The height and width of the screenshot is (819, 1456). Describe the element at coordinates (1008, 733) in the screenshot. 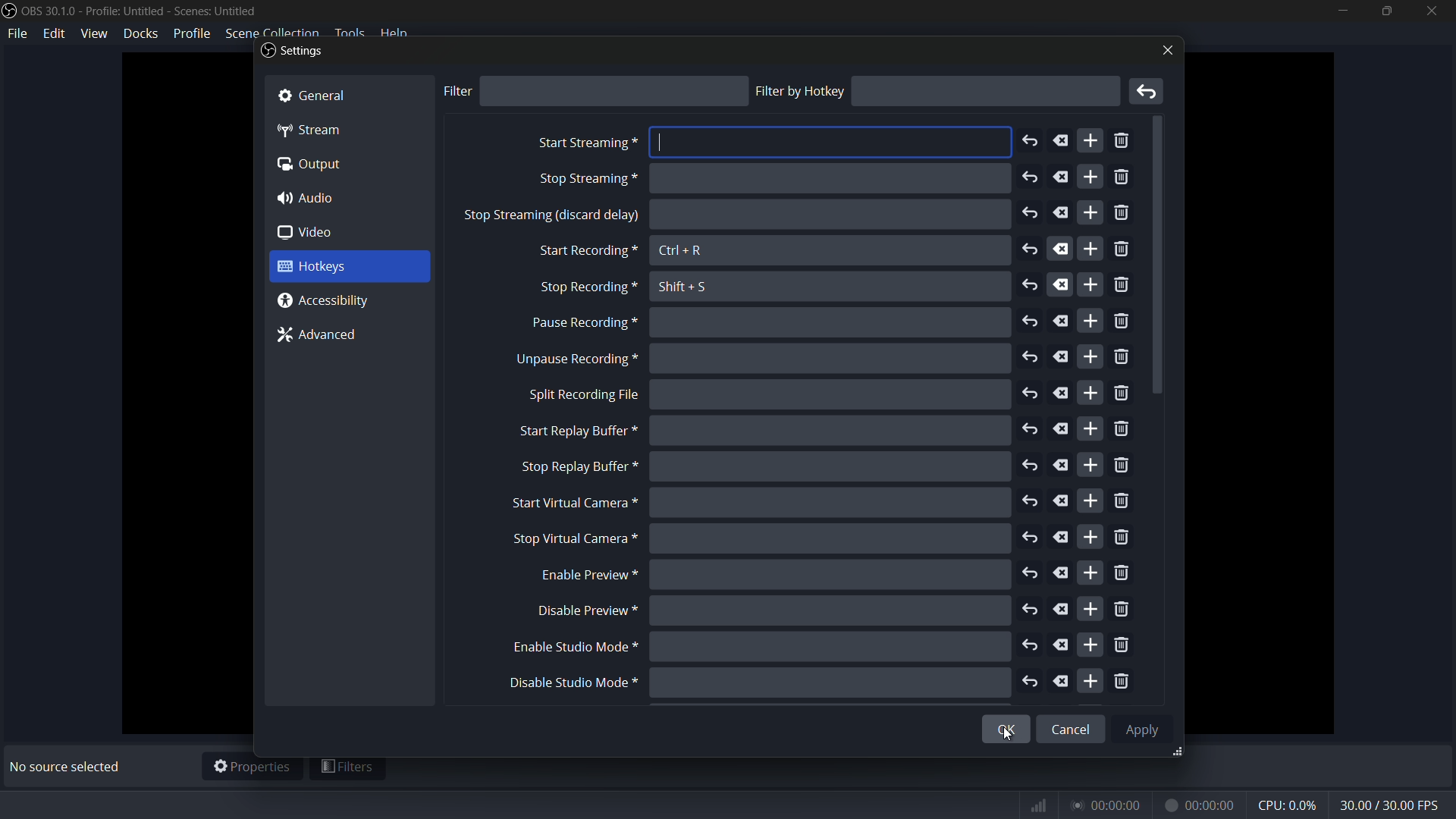

I see `cursor` at that location.